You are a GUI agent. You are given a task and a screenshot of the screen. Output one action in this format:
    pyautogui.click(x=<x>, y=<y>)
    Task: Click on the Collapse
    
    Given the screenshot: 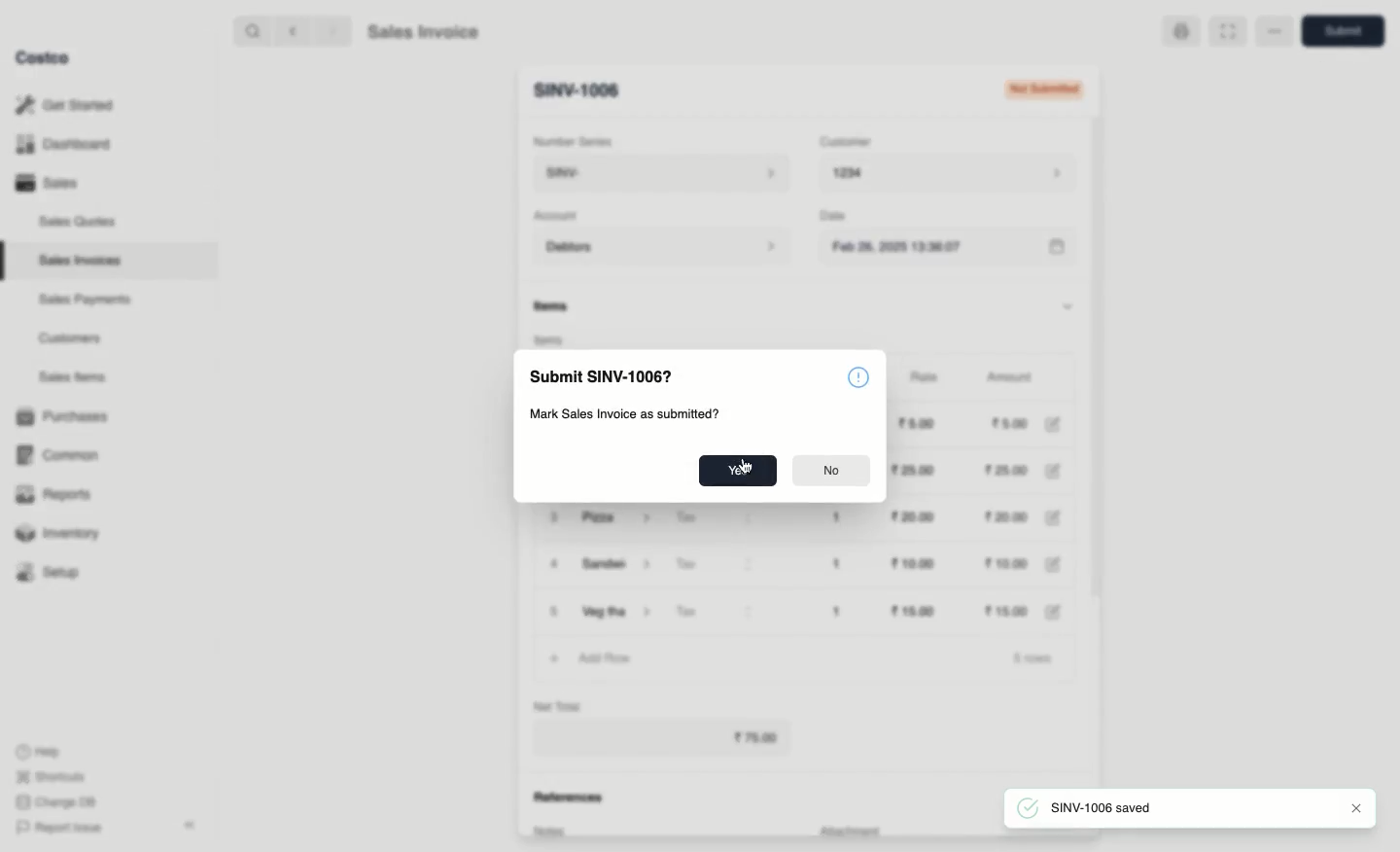 What is the action you would take?
    pyautogui.click(x=192, y=826)
    